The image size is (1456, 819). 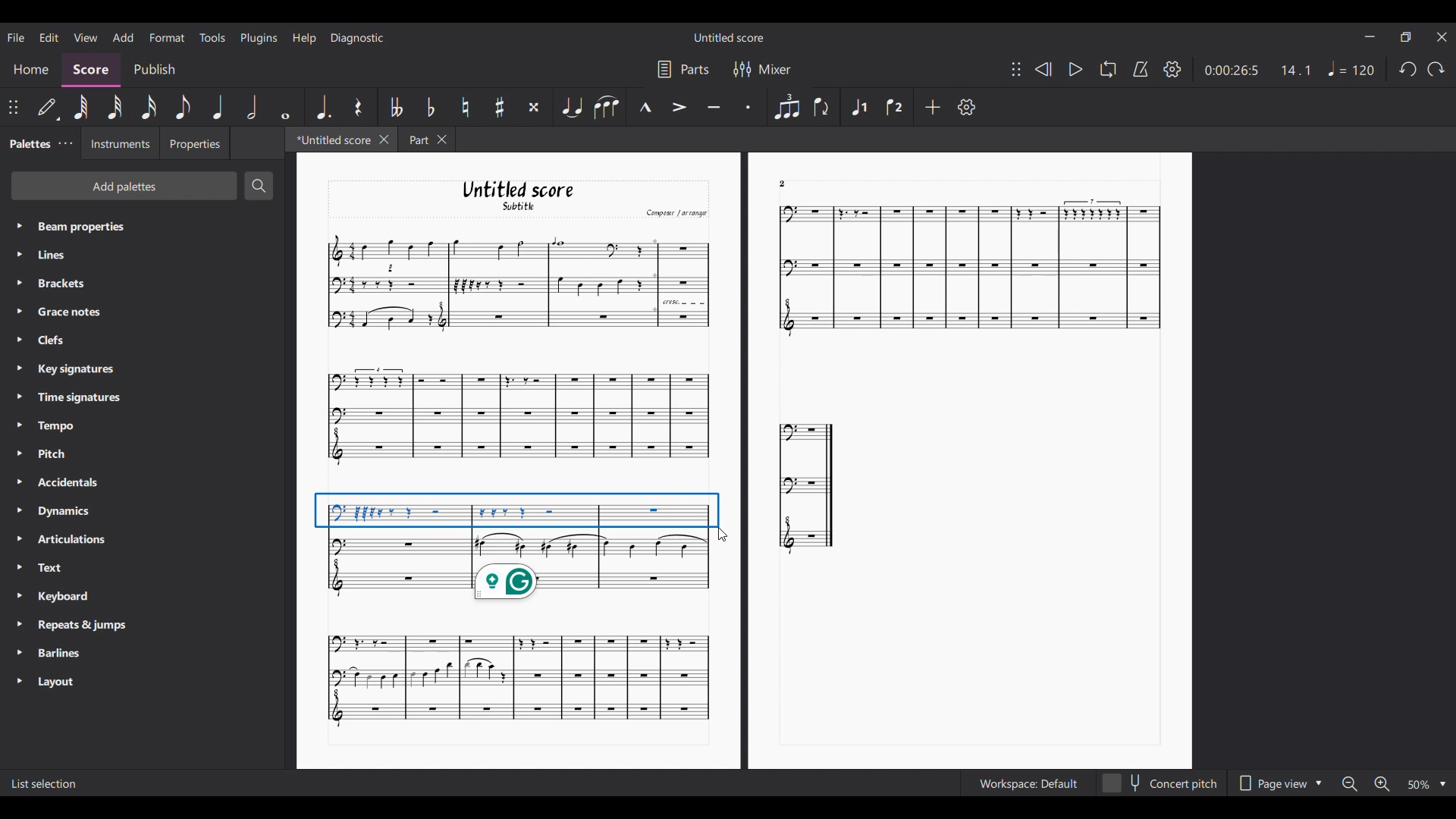 I want to click on Graph, so click(x=517, y=523).